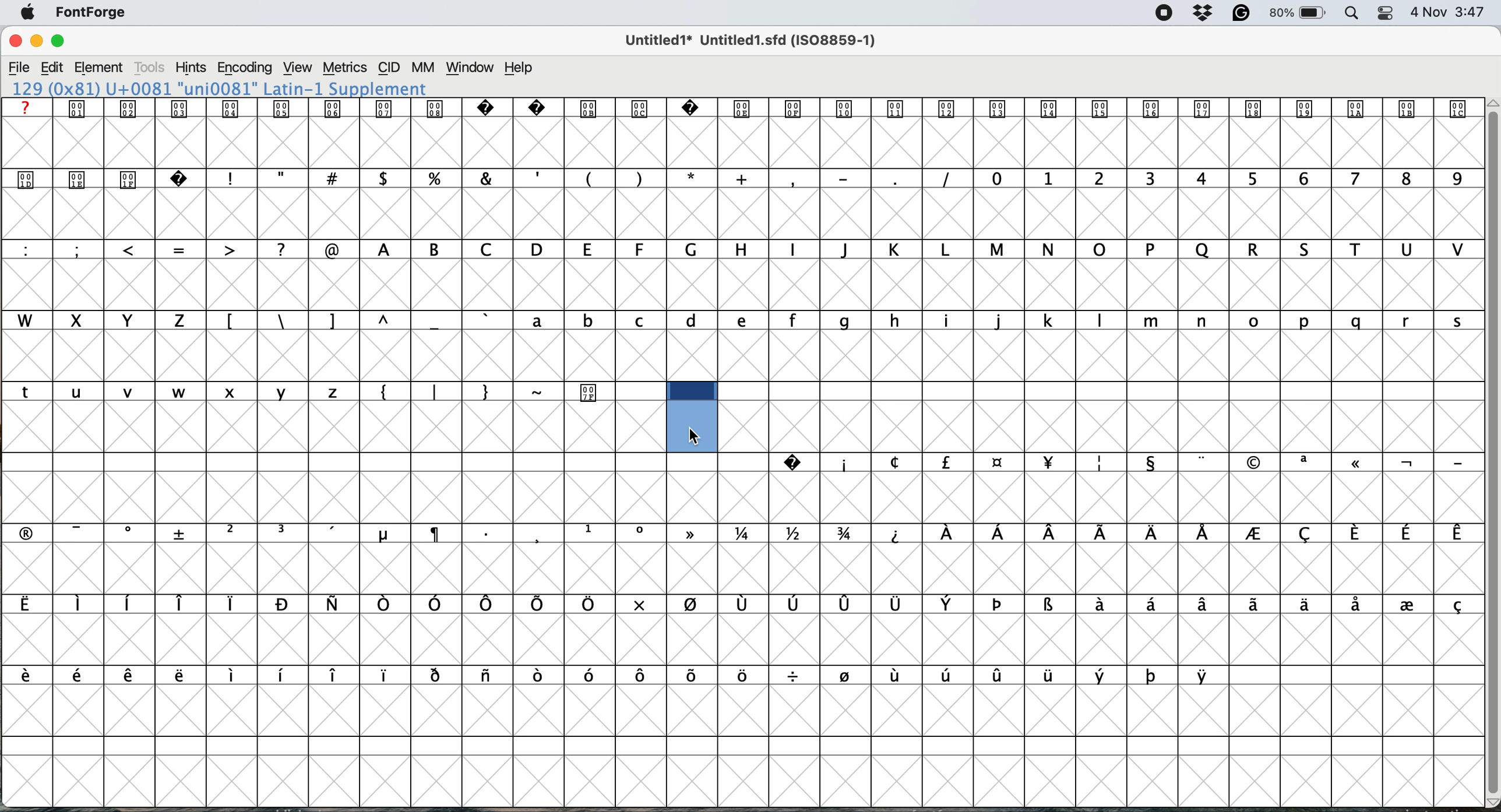  What do you see at coordinates (747, 108) in the screenshot?
I see `Control Characters / Special Symbols` at bounding box center [747, 108].